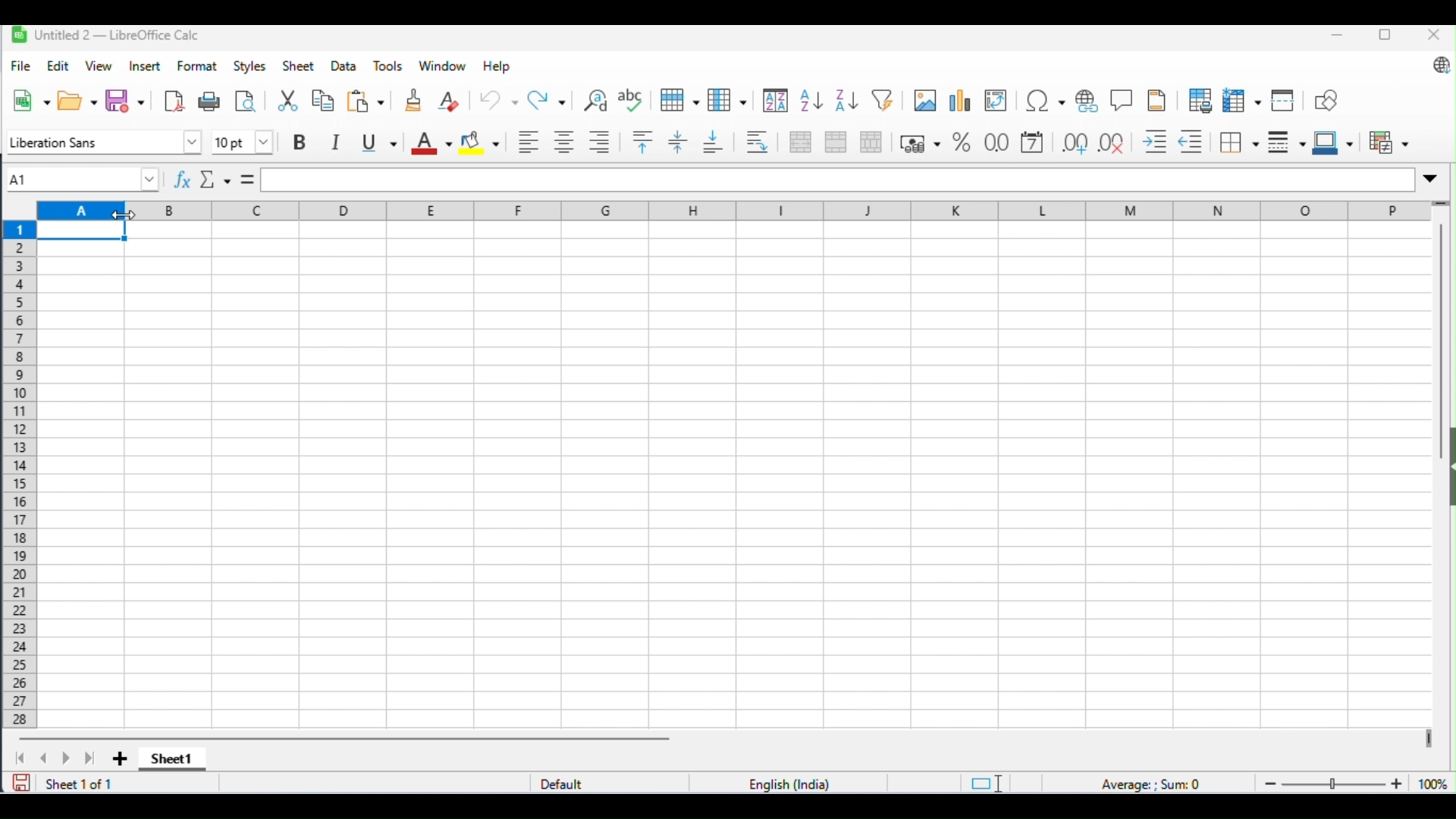  I want to click on language, so click(792, 783).